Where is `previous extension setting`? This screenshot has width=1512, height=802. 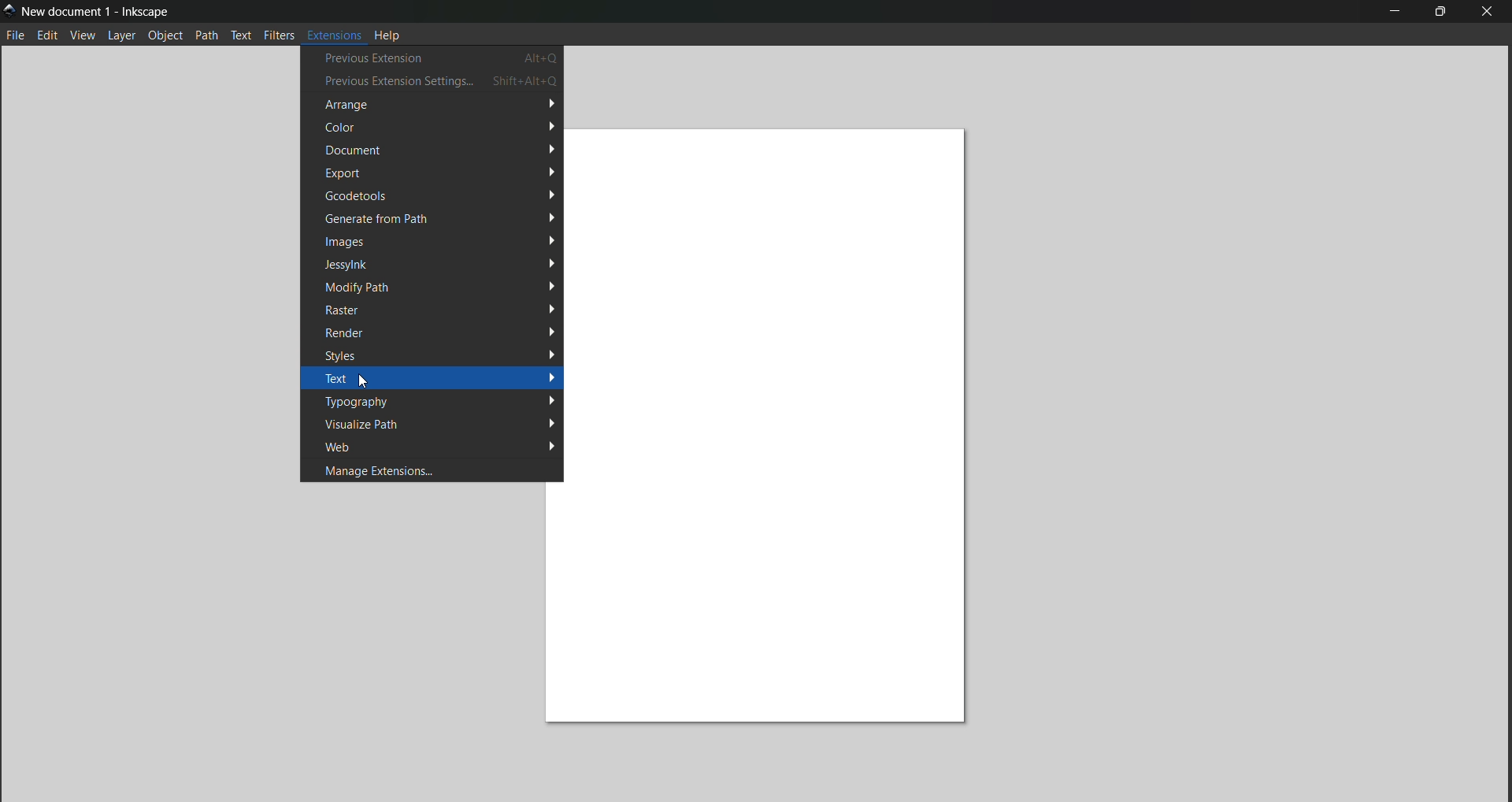
previous extension setting is located at coordinates (433, 81).